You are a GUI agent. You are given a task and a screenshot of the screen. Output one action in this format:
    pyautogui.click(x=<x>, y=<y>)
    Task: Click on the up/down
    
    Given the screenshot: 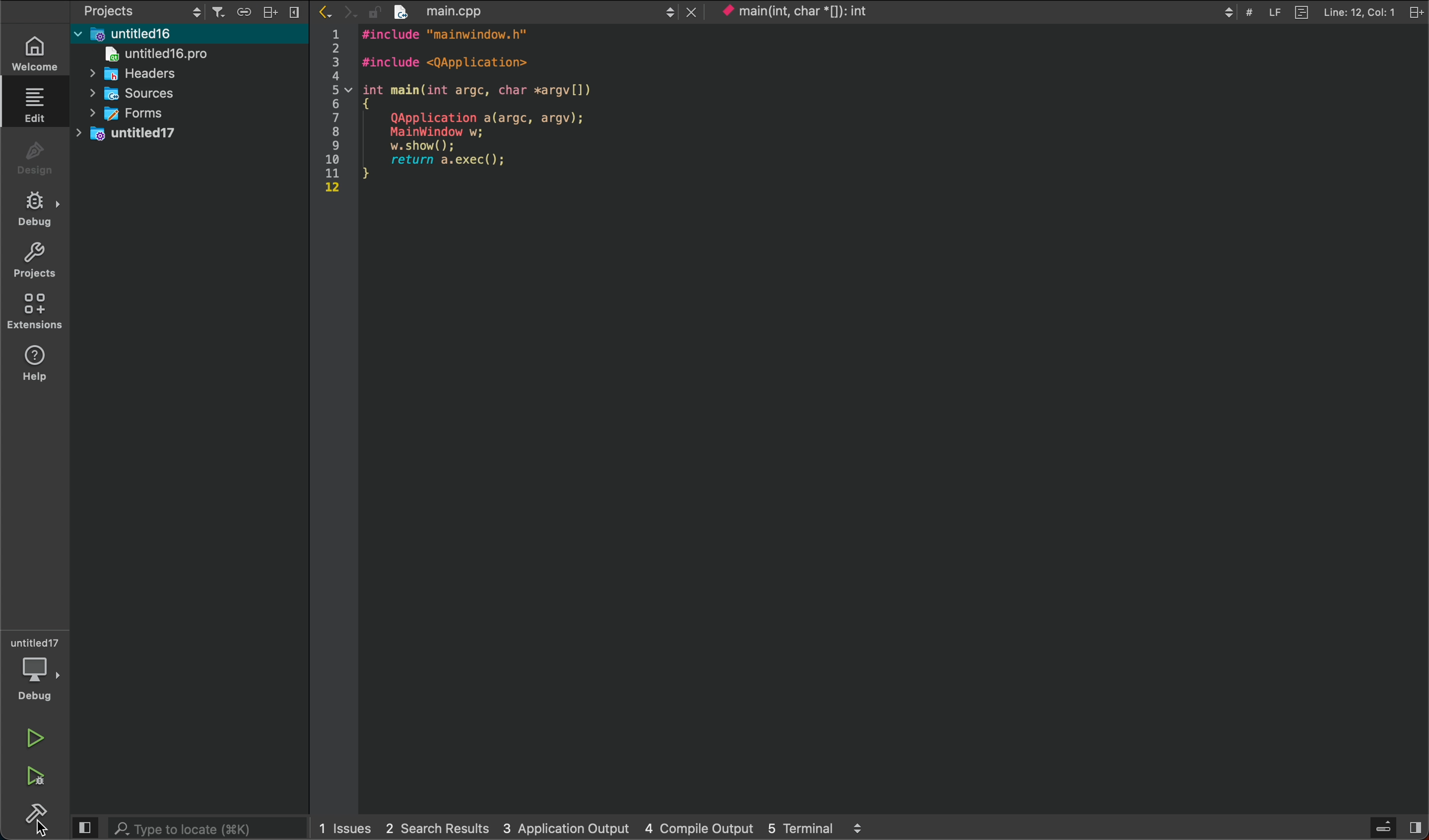 What is the action you would take?
    pyautogui.click(x=195, y=10)
    